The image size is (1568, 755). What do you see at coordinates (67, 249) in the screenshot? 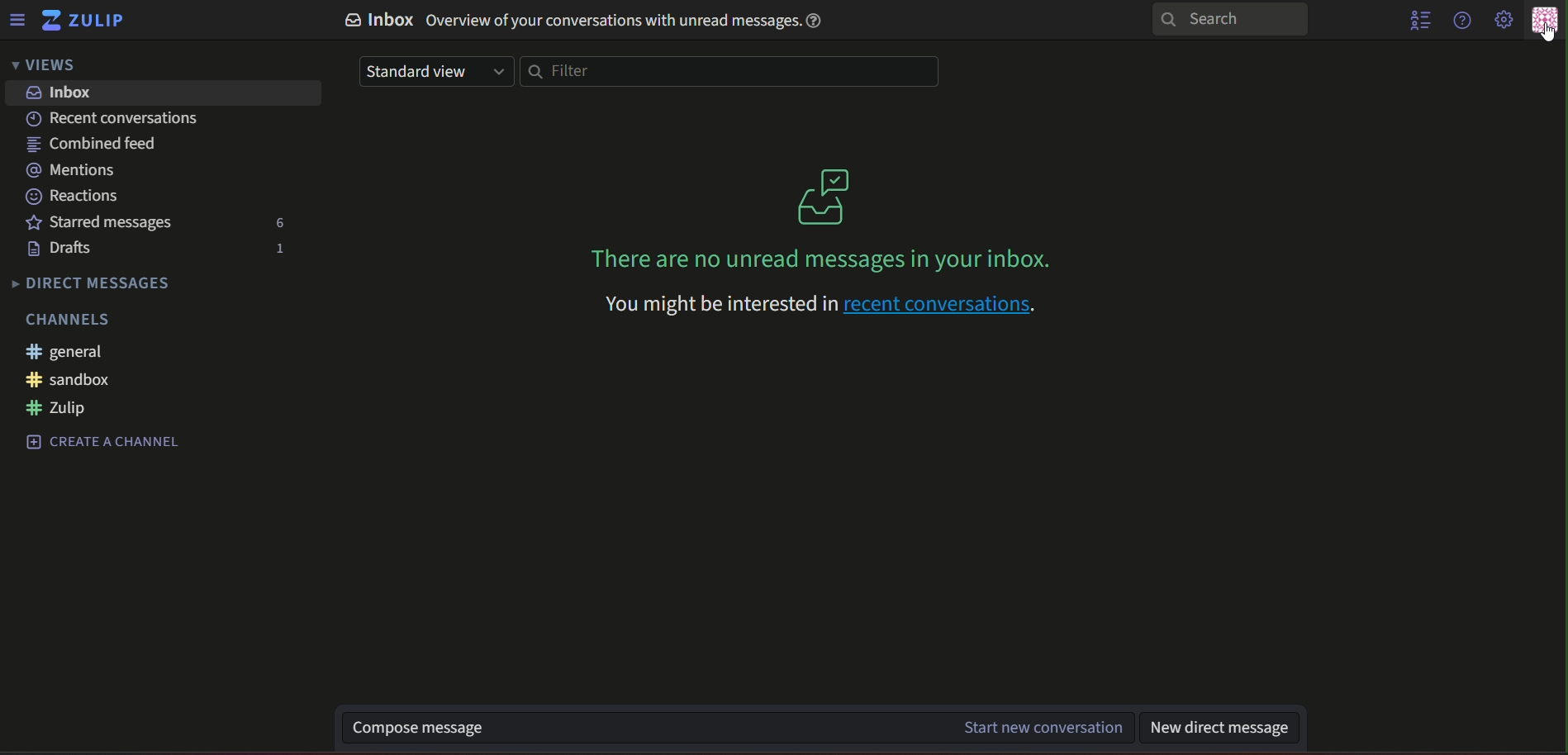
I see `drafts` at bounding box center [67, 249].